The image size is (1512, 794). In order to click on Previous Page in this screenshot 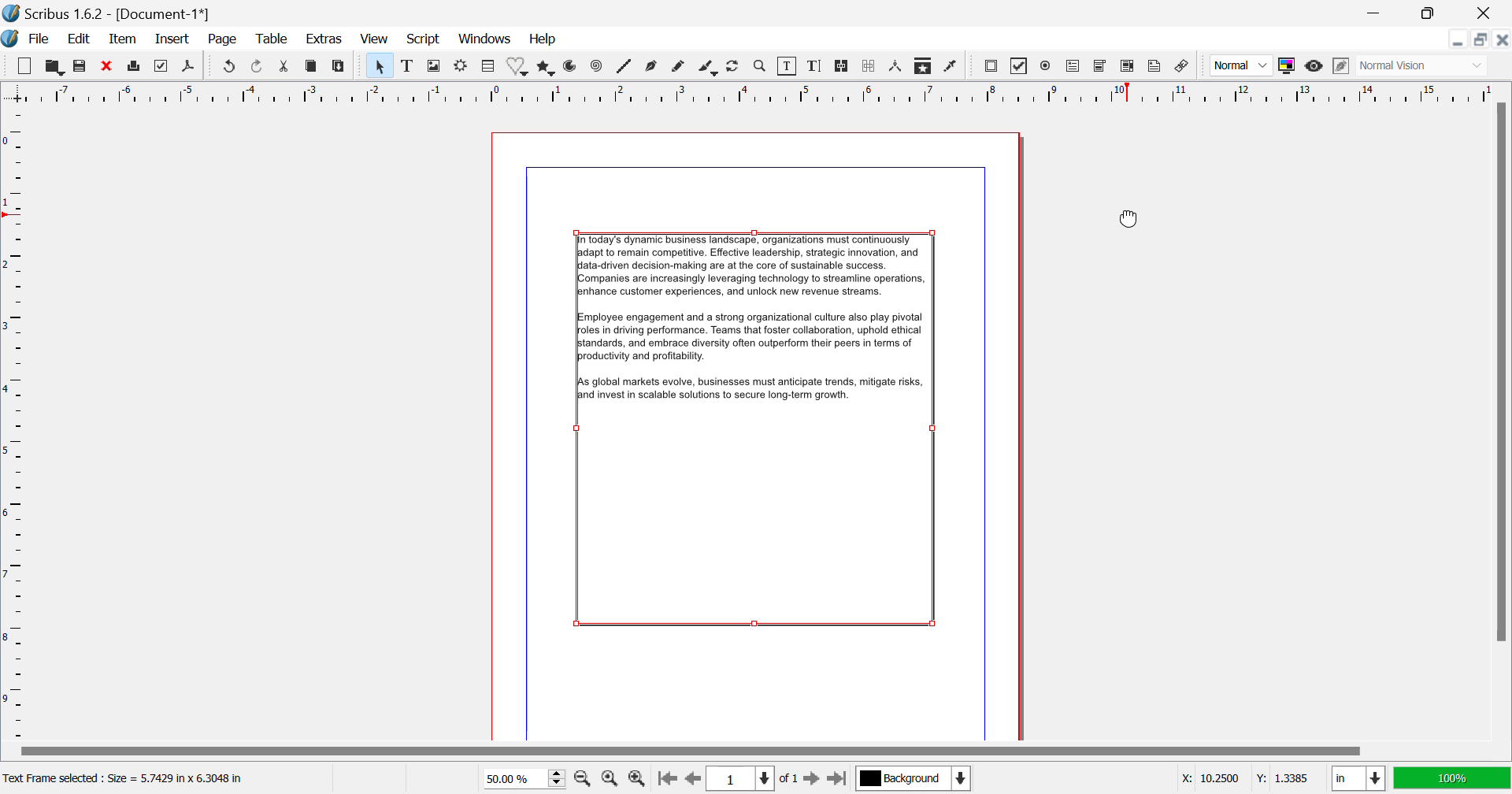, I will do `click(694, 779)`.